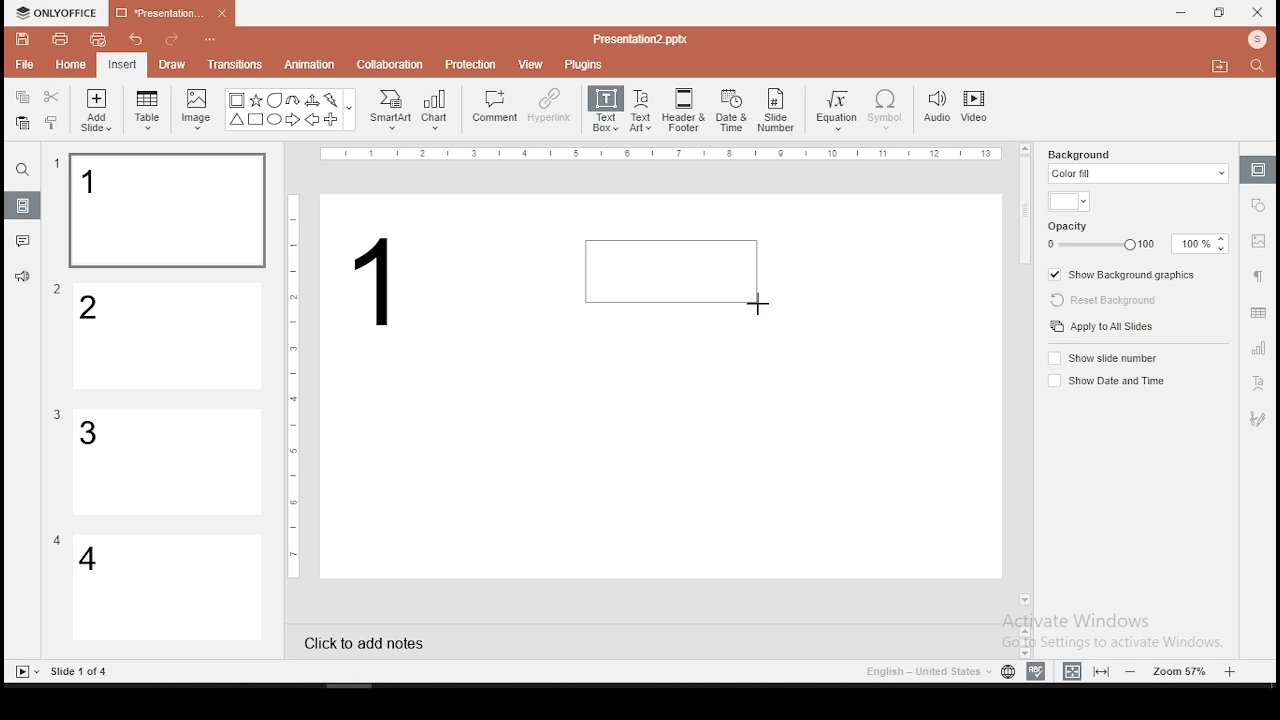 The height and width of the screenshot is (720, 1280). I want to click on slide 2, so click(169, 337).